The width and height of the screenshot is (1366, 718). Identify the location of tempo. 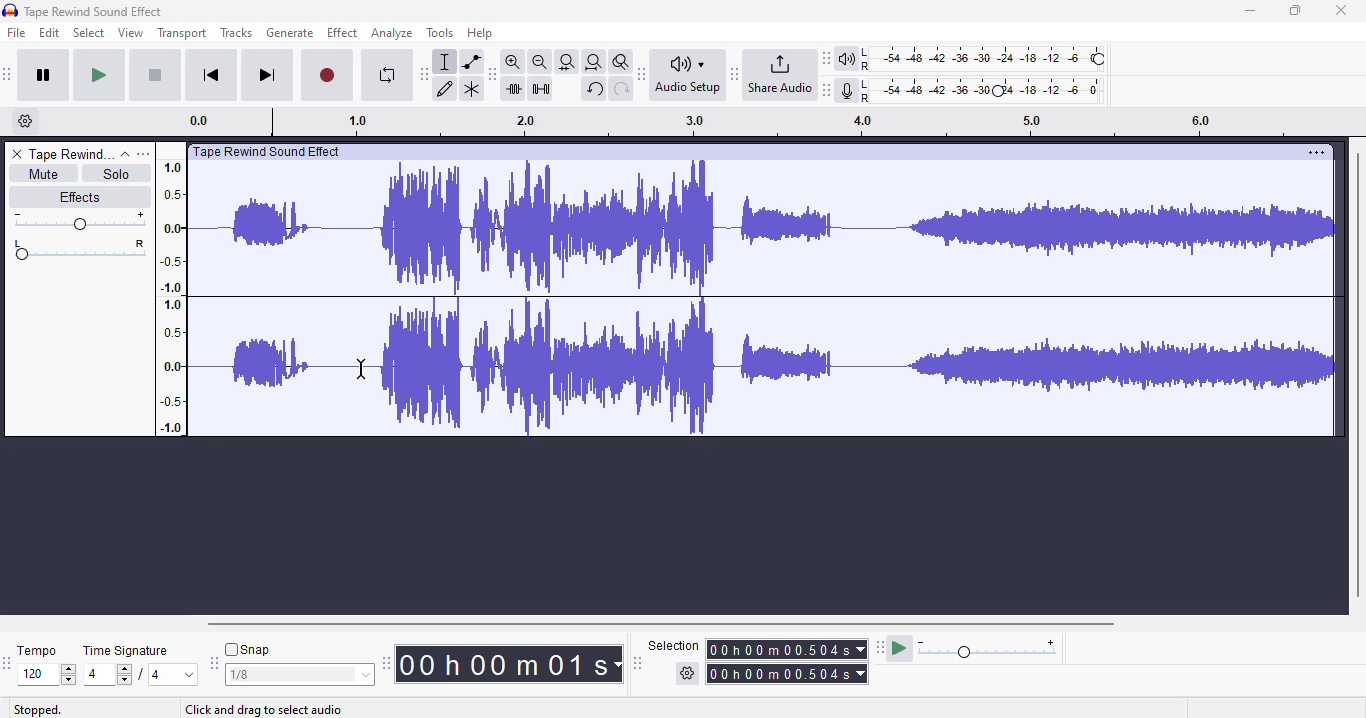
(36, 650).